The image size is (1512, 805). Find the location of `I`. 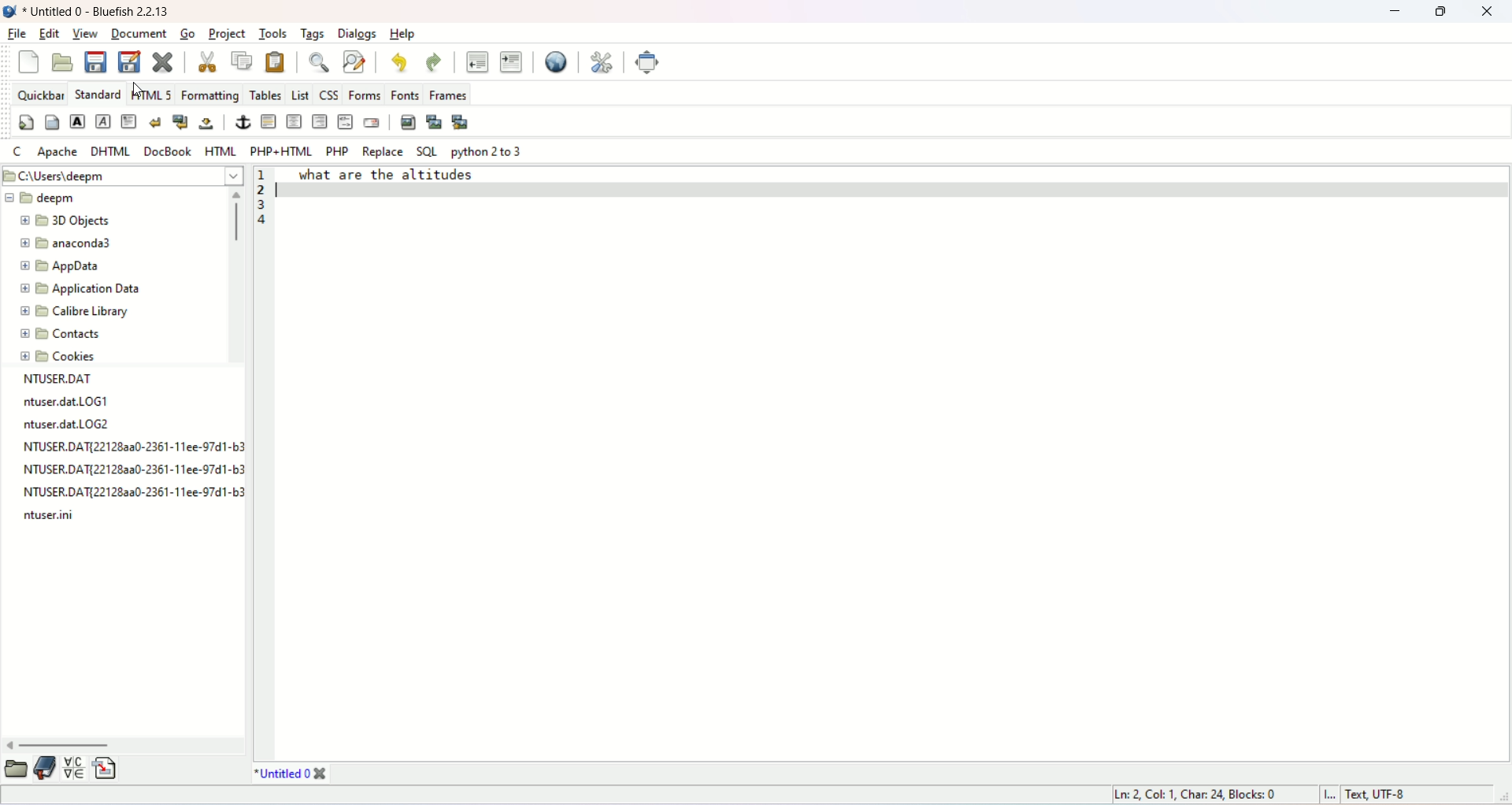

I is located at coordinates (1333, 795).